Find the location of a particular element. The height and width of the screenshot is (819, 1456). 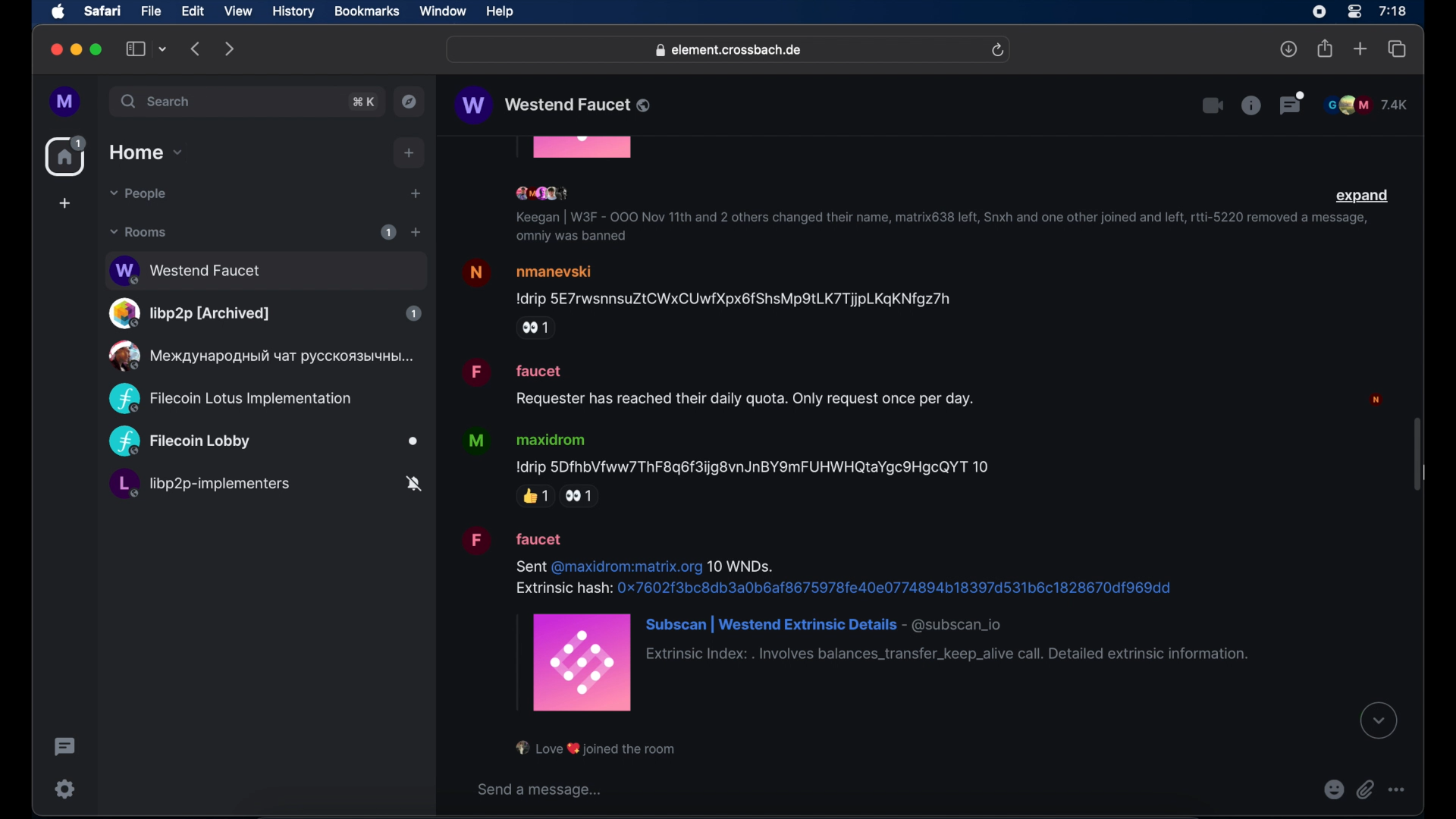

search shortcut is located at coordinates (365, 102).